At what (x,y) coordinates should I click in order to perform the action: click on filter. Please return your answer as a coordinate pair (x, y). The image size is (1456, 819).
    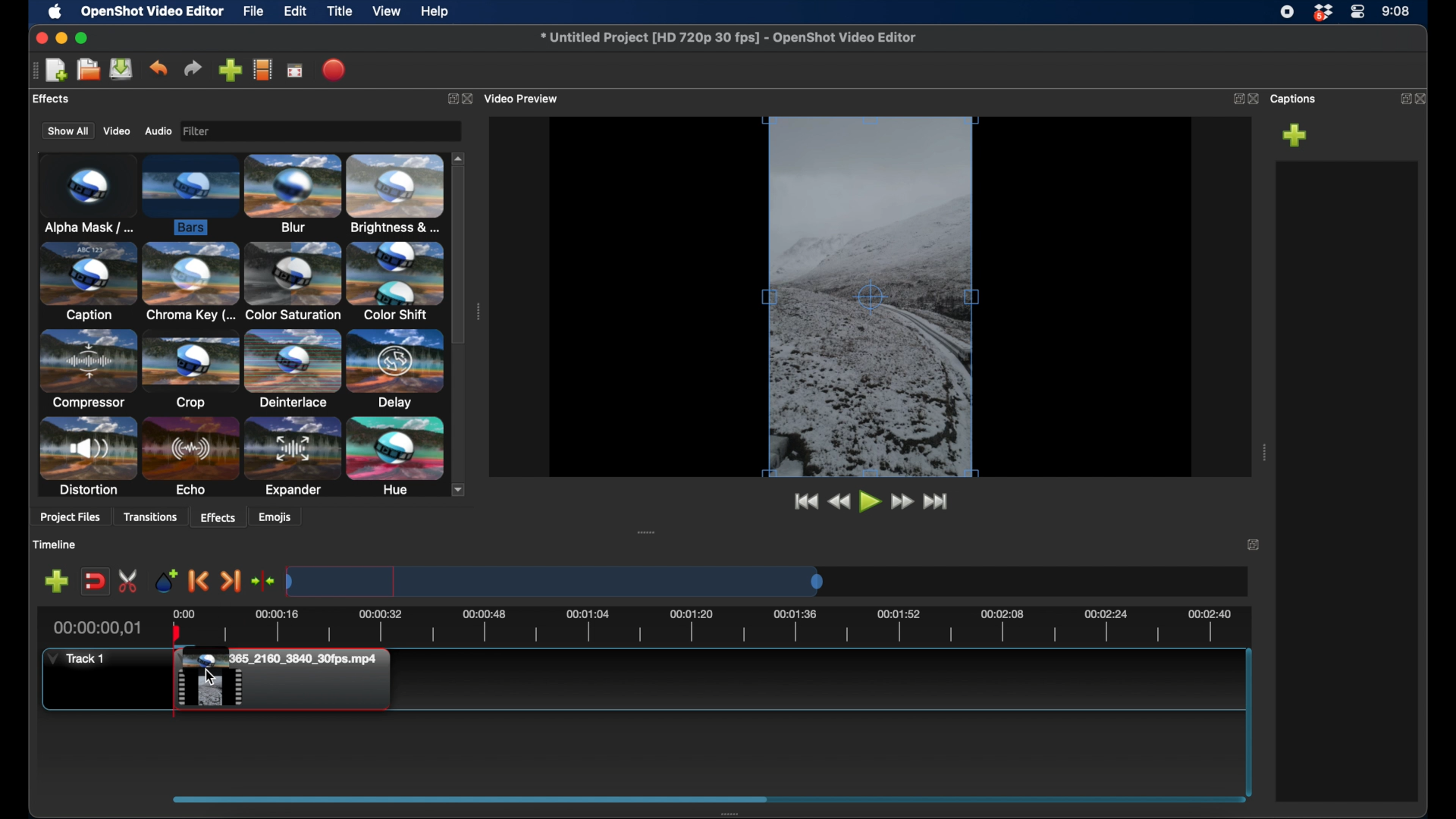
    Looking at the image, I should click on (241, 130).